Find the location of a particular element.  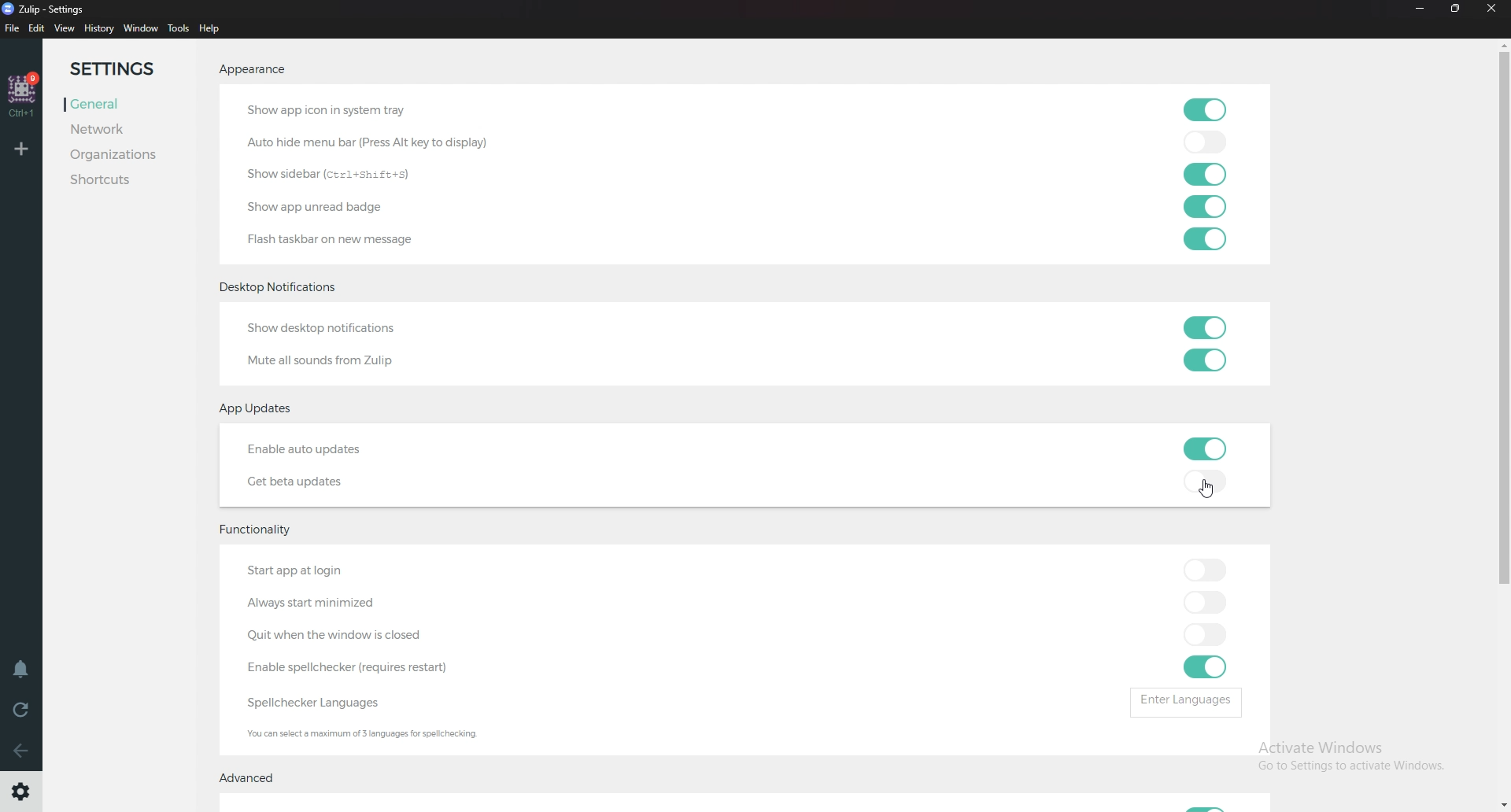

Network is located at coordinates (135, 130).